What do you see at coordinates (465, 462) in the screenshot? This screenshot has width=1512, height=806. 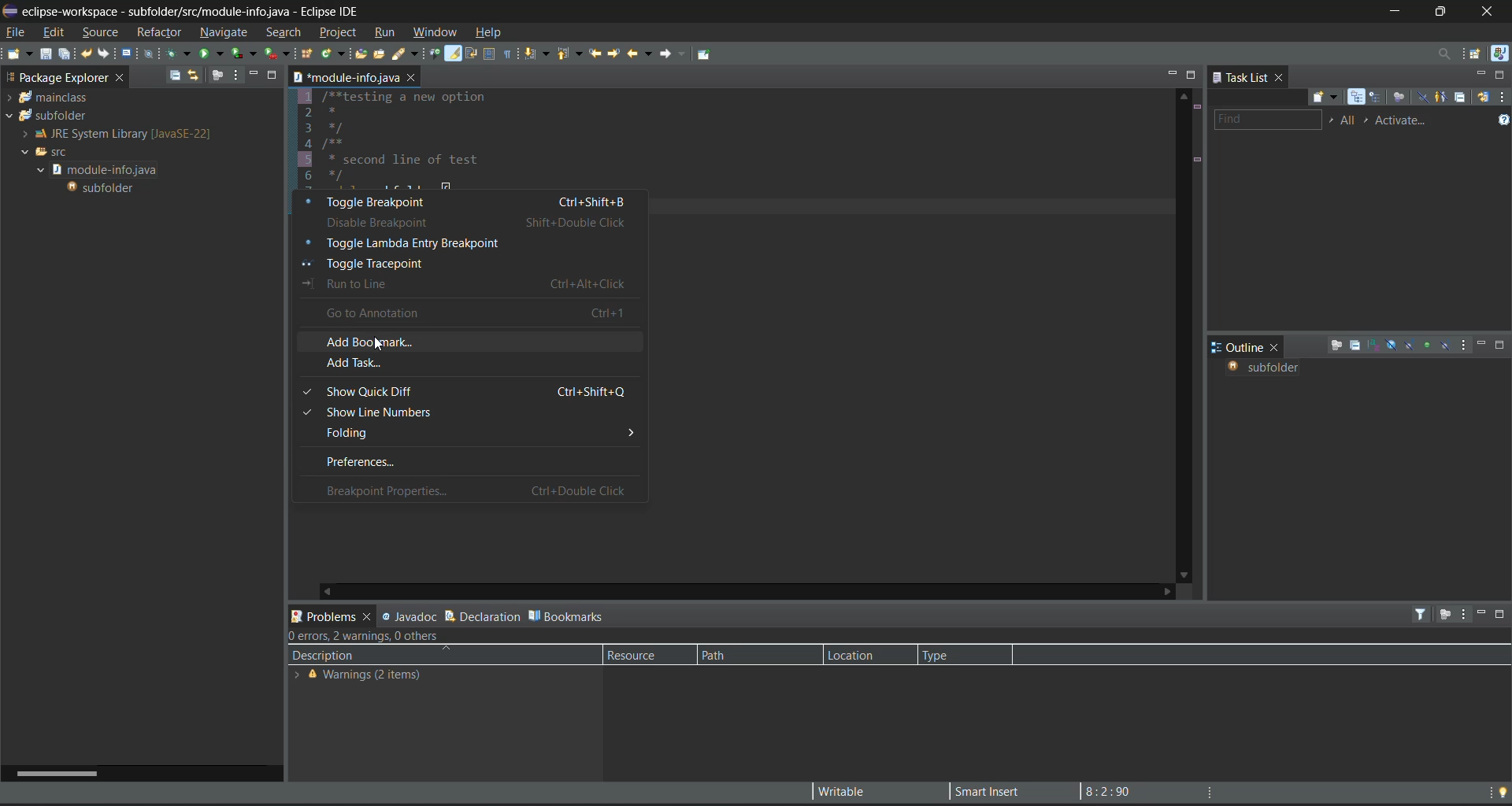 I see `preferences` at bounding box center [465, 462].